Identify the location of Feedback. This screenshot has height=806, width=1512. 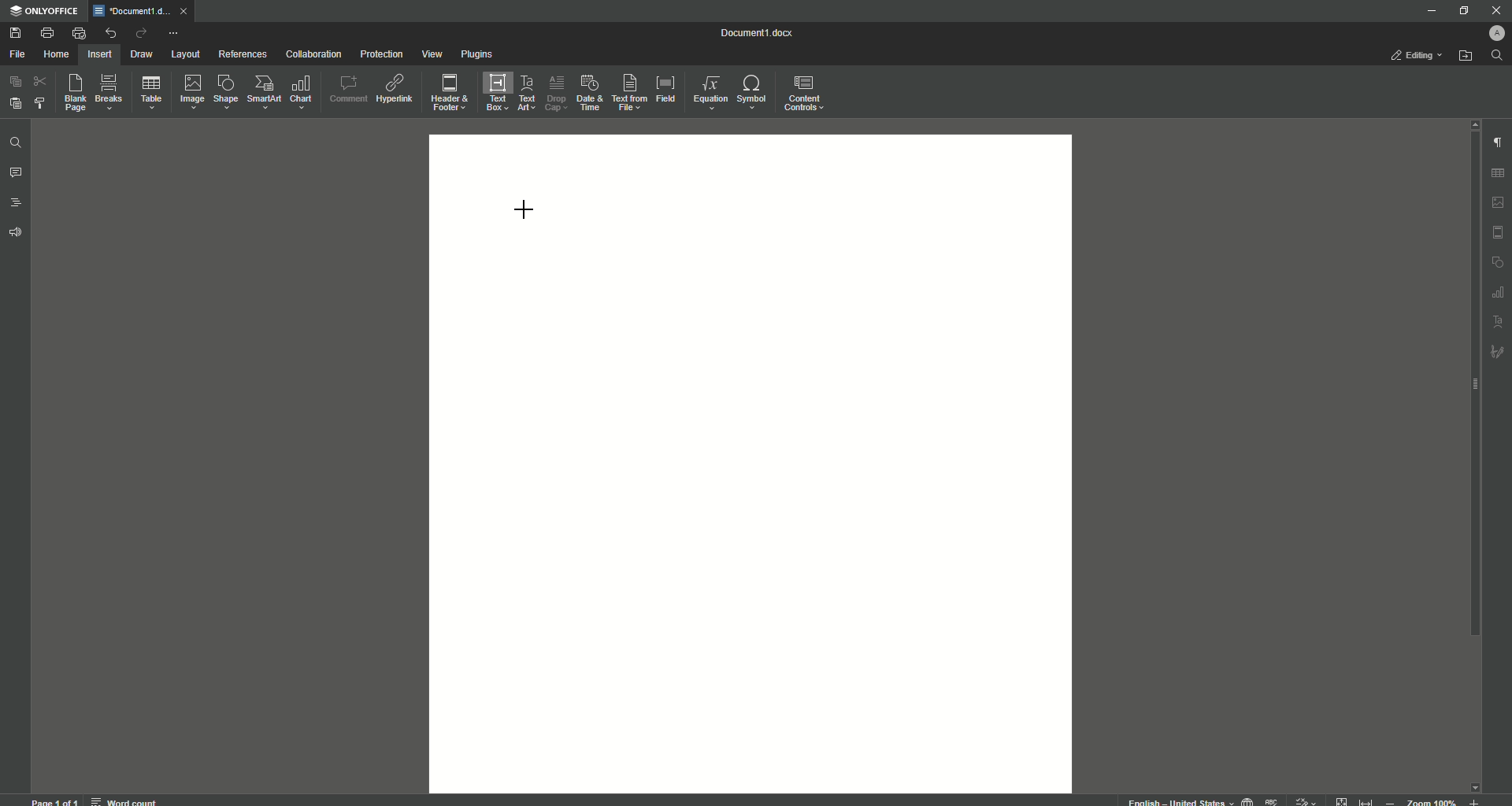
(17, 233).